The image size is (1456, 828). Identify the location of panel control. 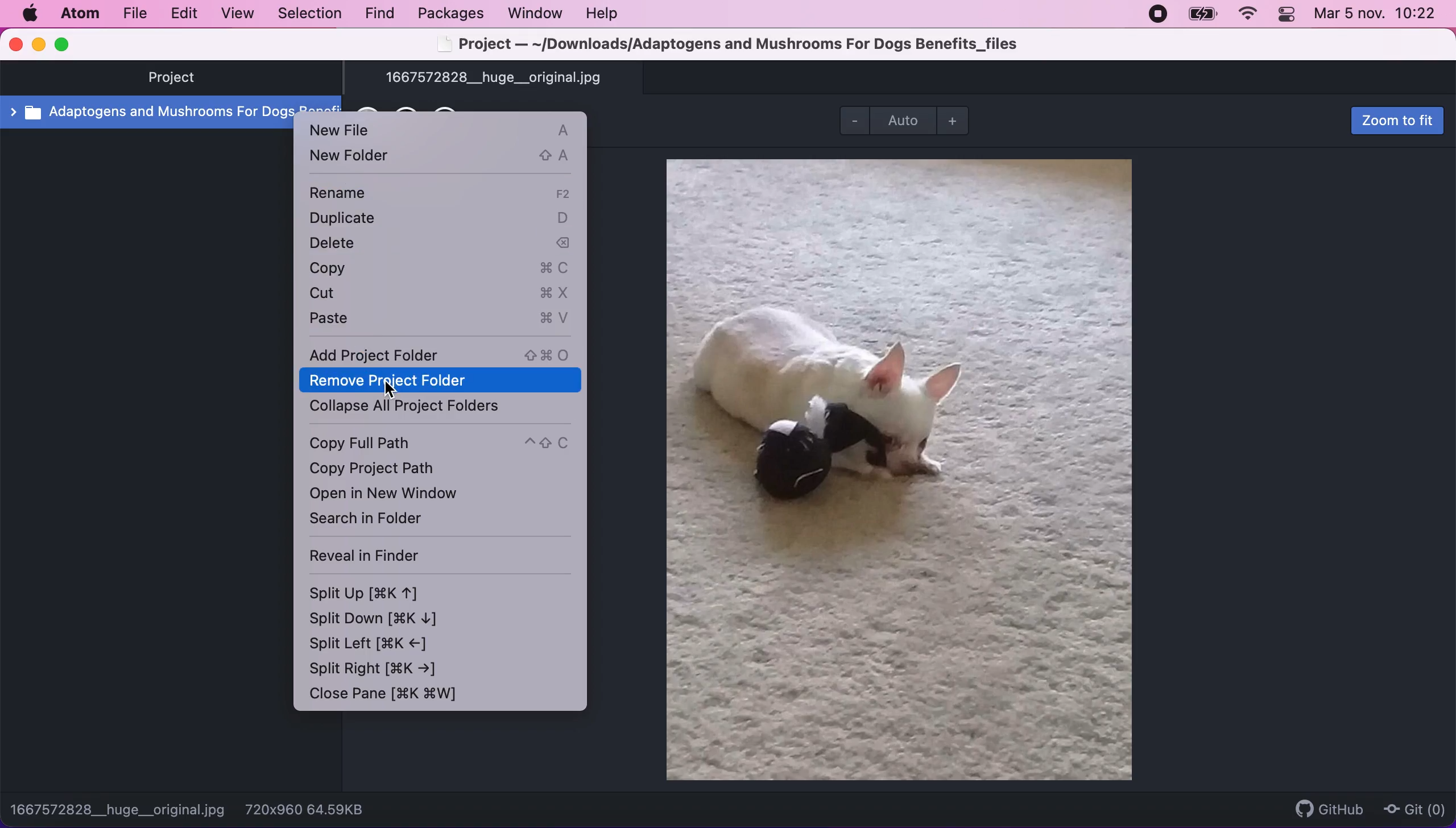
(1285, 15).